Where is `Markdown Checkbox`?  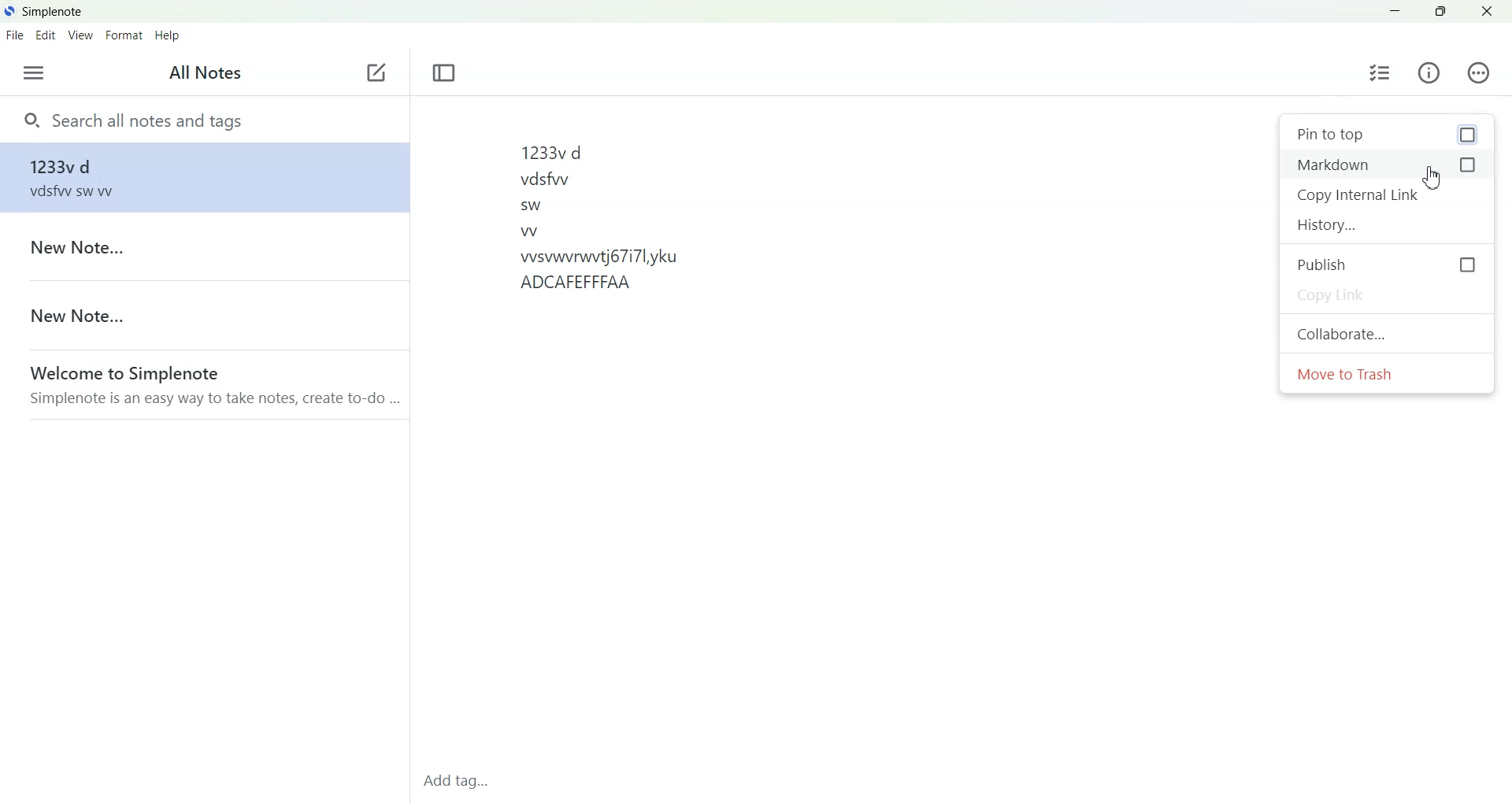 Markdown Checkbox is located at coordinates (1387, 165).